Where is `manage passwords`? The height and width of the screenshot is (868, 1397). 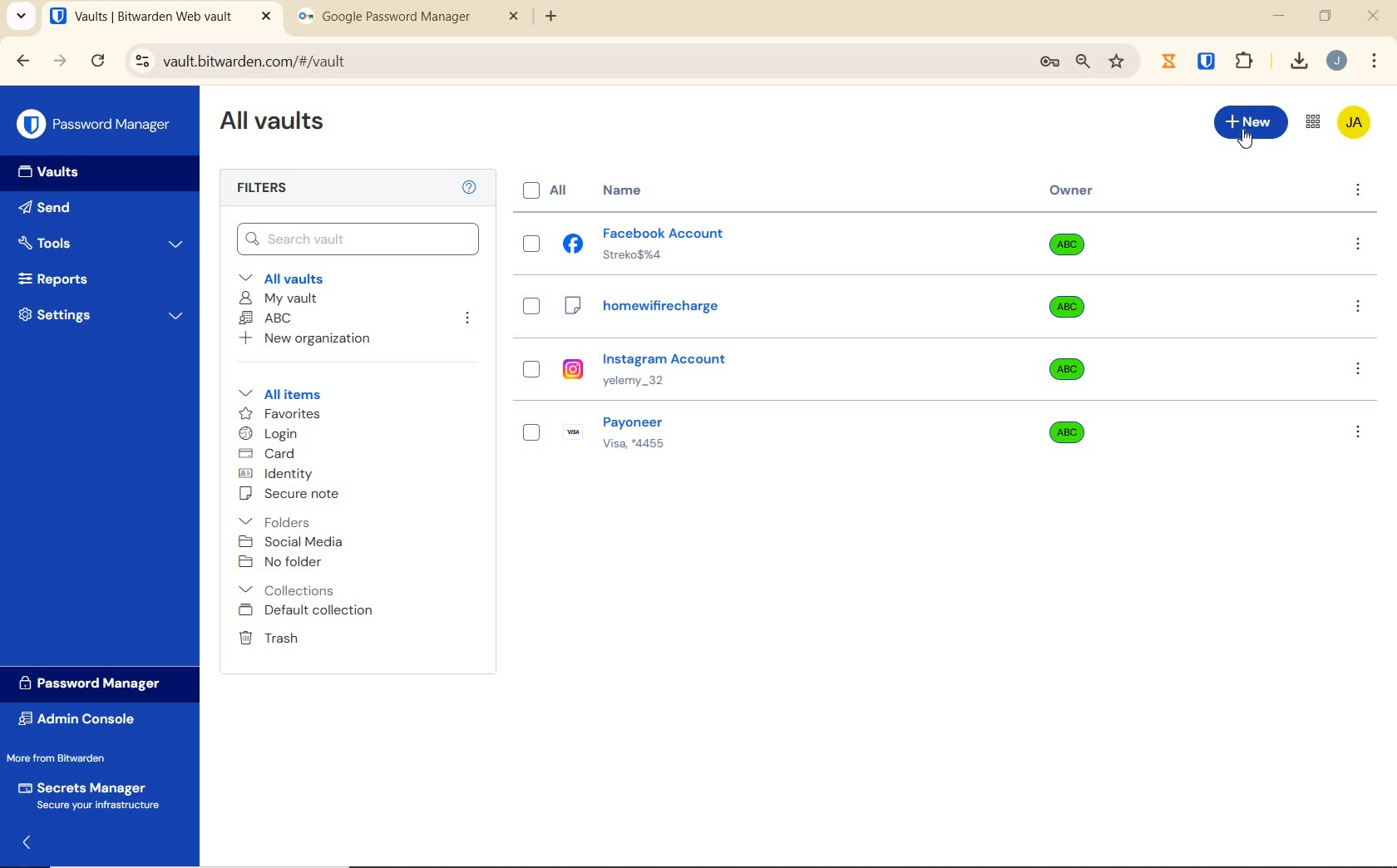 manage passwords is located at coordinates (1049, 62).